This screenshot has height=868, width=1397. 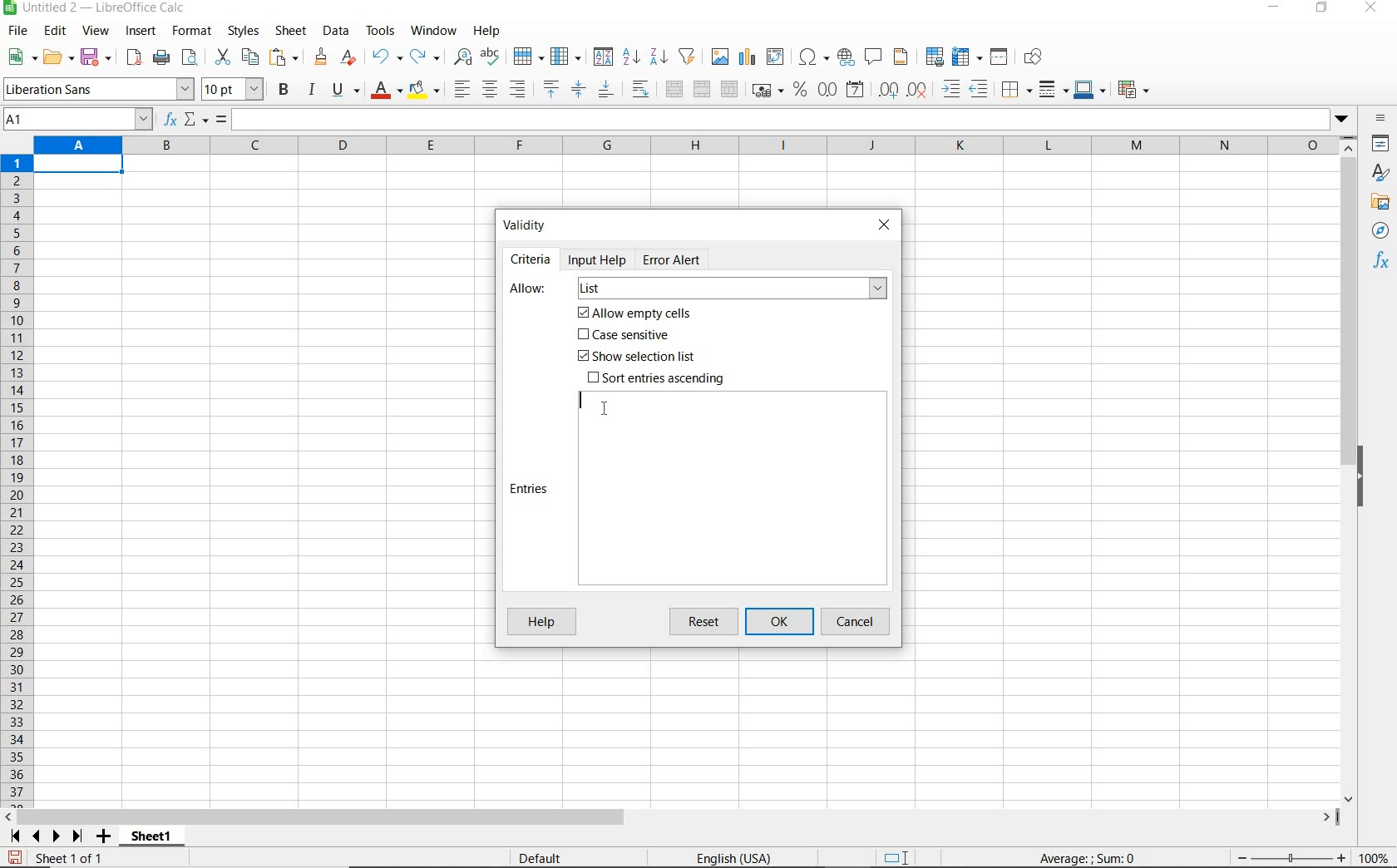 I want to click on underline, so click(x=346, y=91).